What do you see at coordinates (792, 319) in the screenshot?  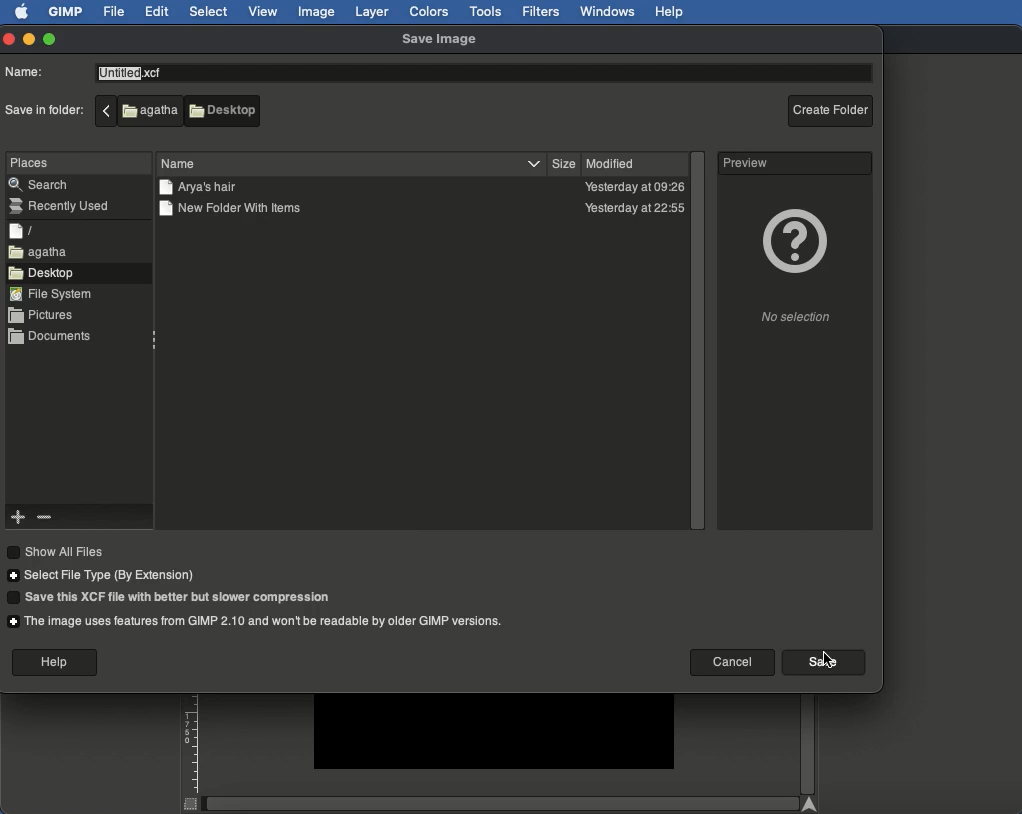 I see `No selection` at bounding box center [792, 319].